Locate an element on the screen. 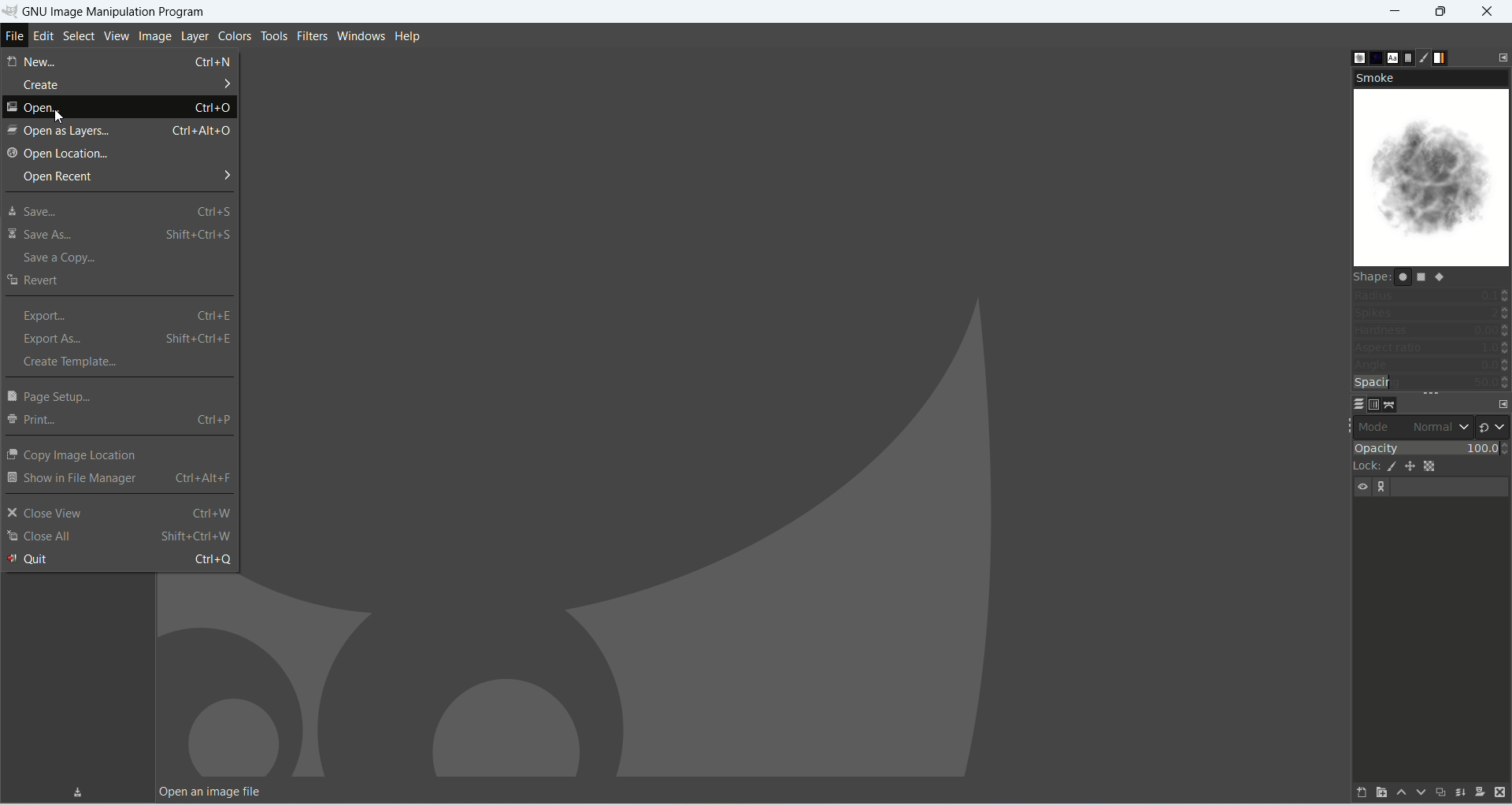 This screenshot has width=1512, height=805. print is located at coordinates (118, 421).